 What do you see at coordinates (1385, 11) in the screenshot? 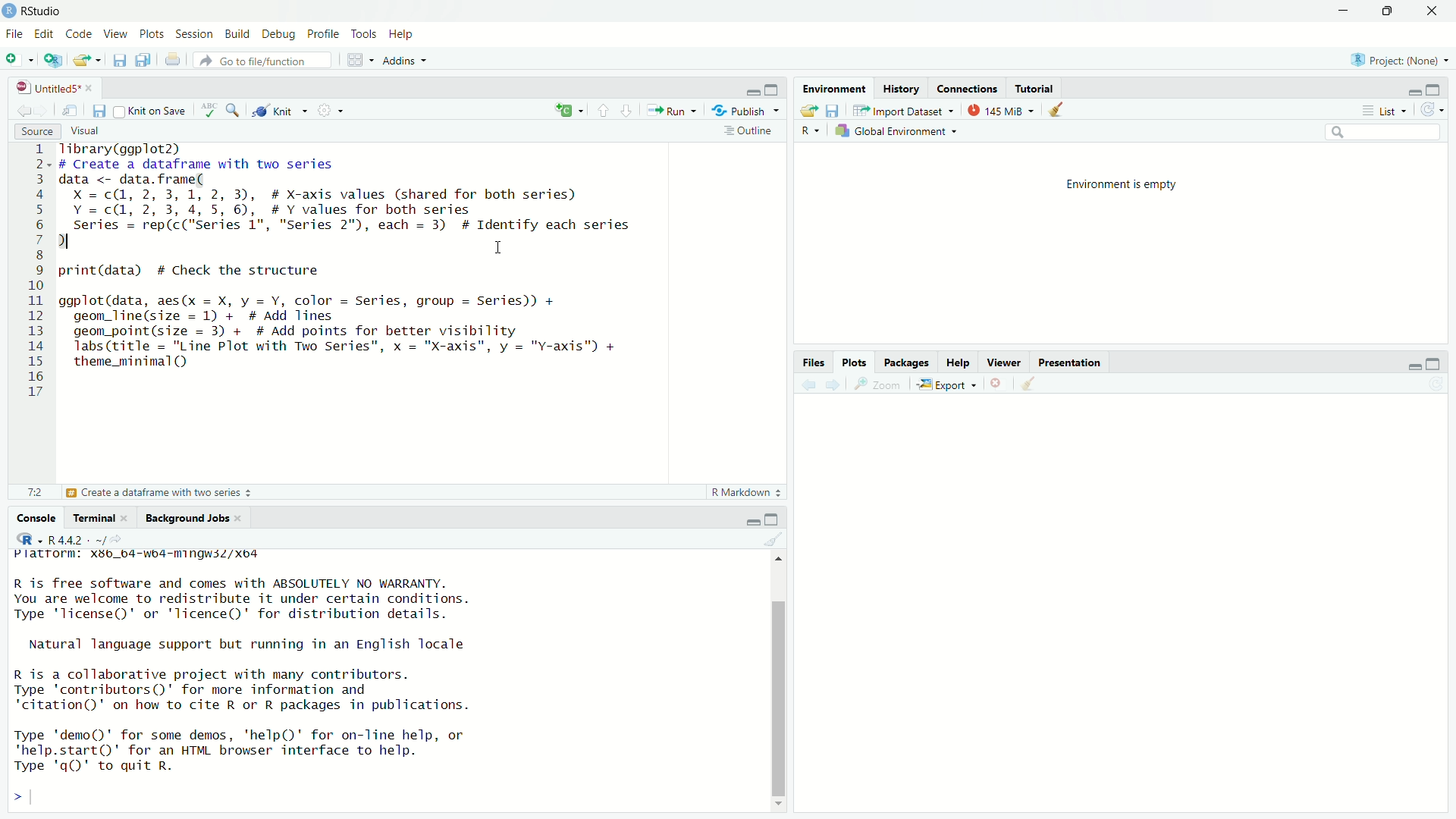
I see `Maximize` at bounding box center [1385, 11].